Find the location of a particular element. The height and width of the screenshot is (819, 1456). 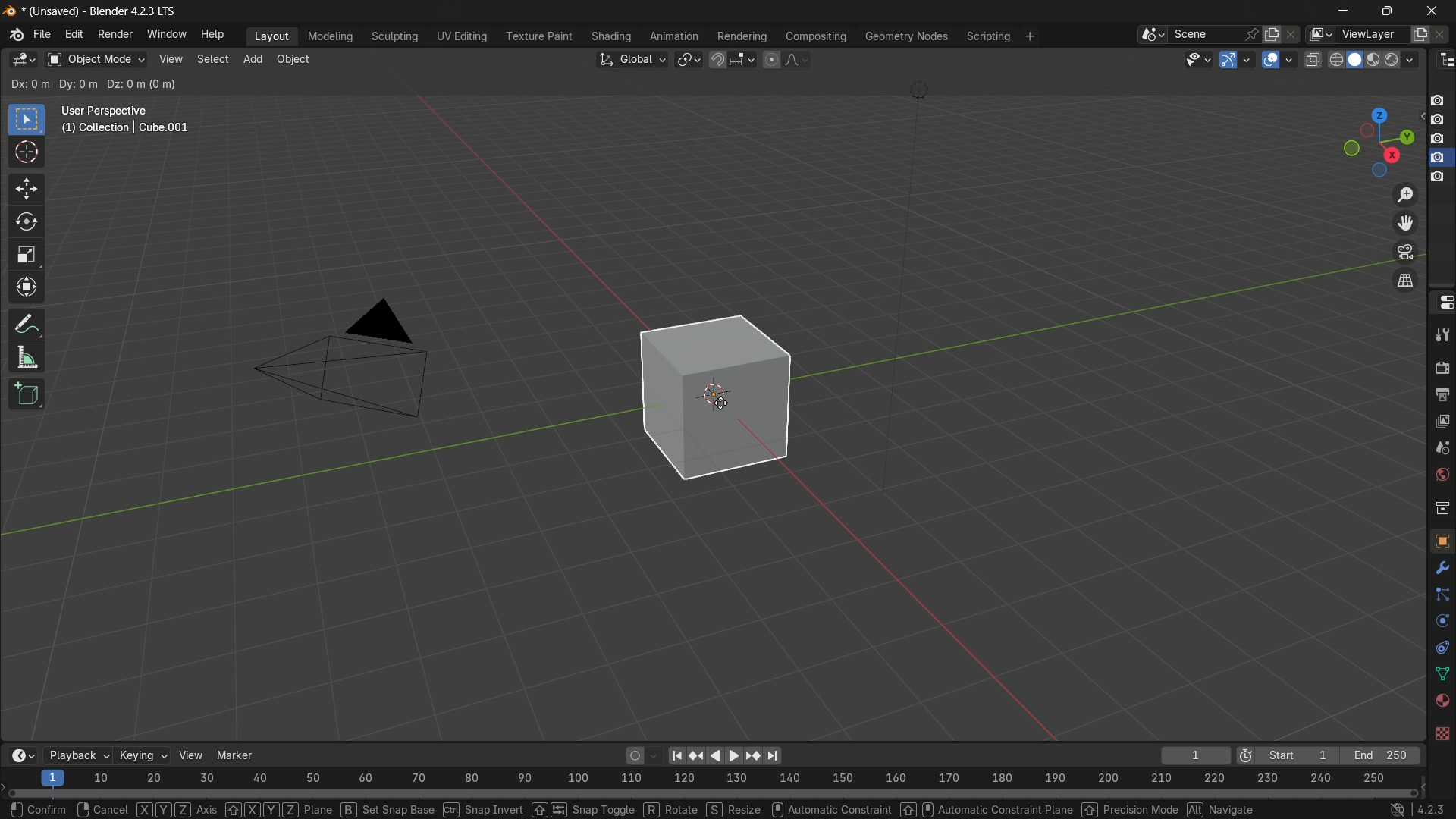

annotate is located at coordinates (23, 325).